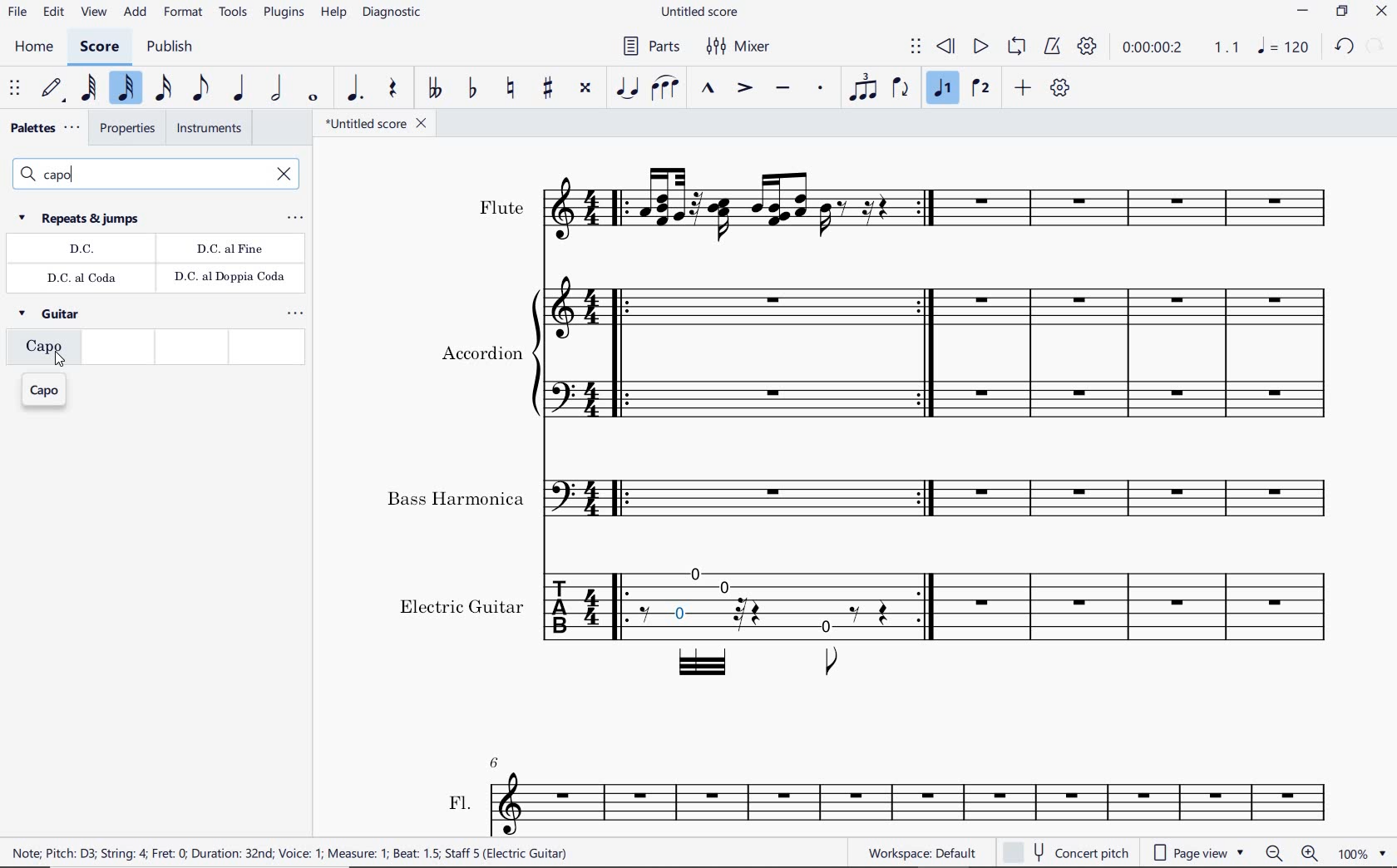 Image resolution: width=1397 pixels, height=868 pixels. I want to click on customize toolbar, so click(1062, 89).